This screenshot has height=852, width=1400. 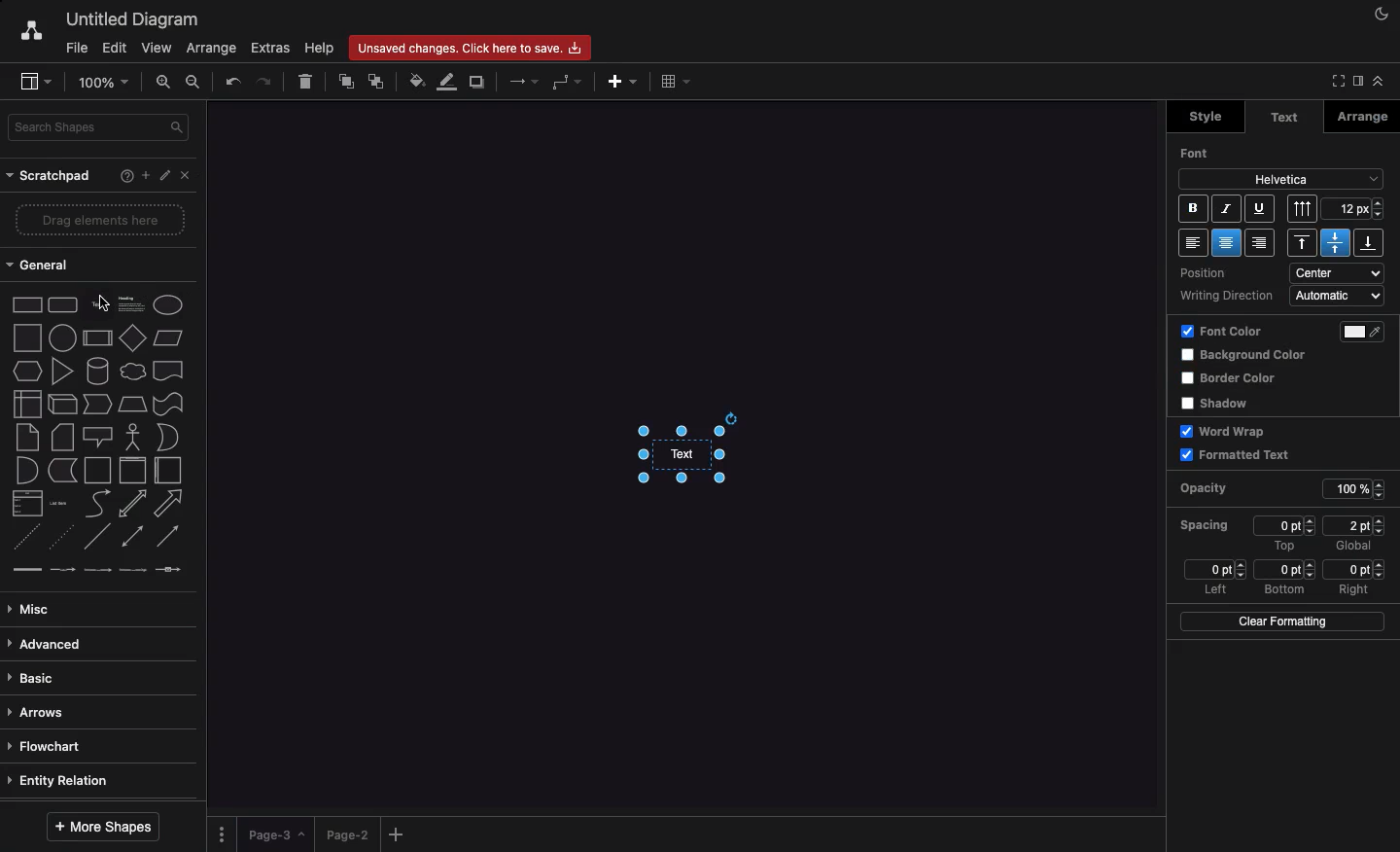 I want to click on Right, so click(x=1356, y=589).